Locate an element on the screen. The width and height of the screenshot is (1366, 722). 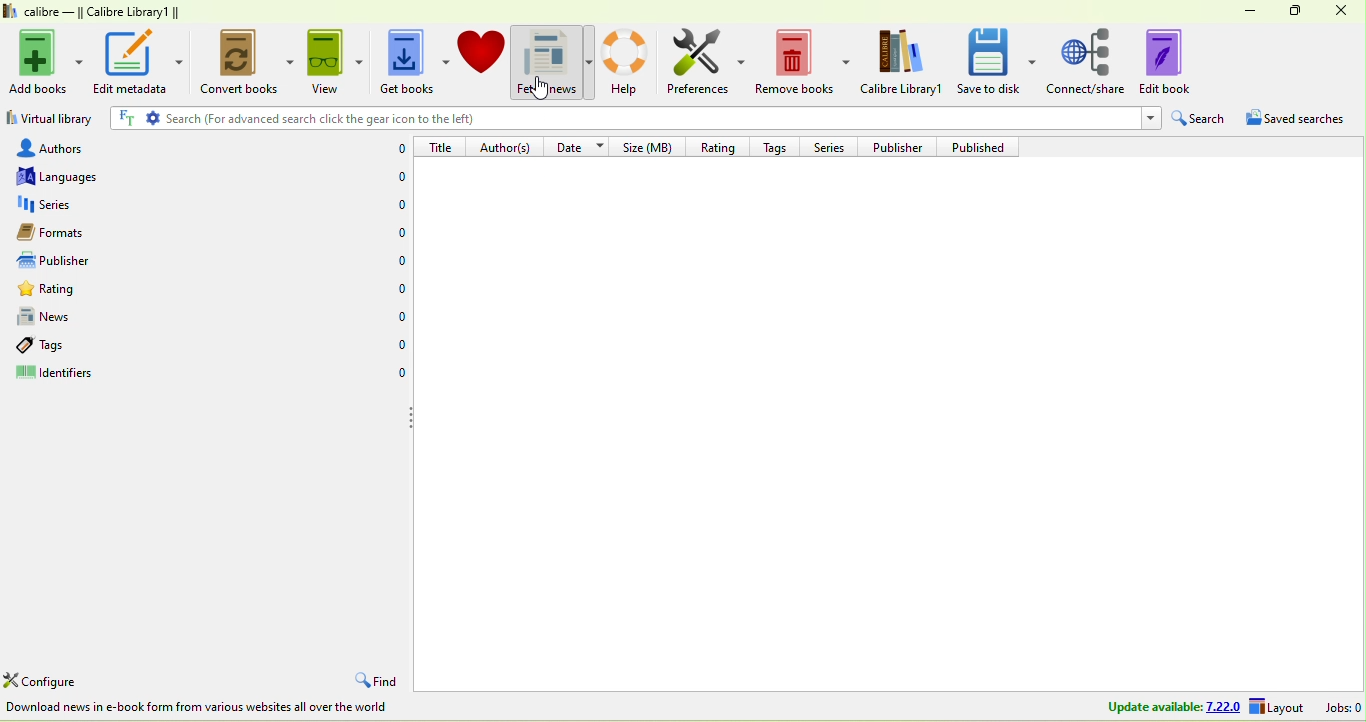
0 is located at coordinates (400, 315).